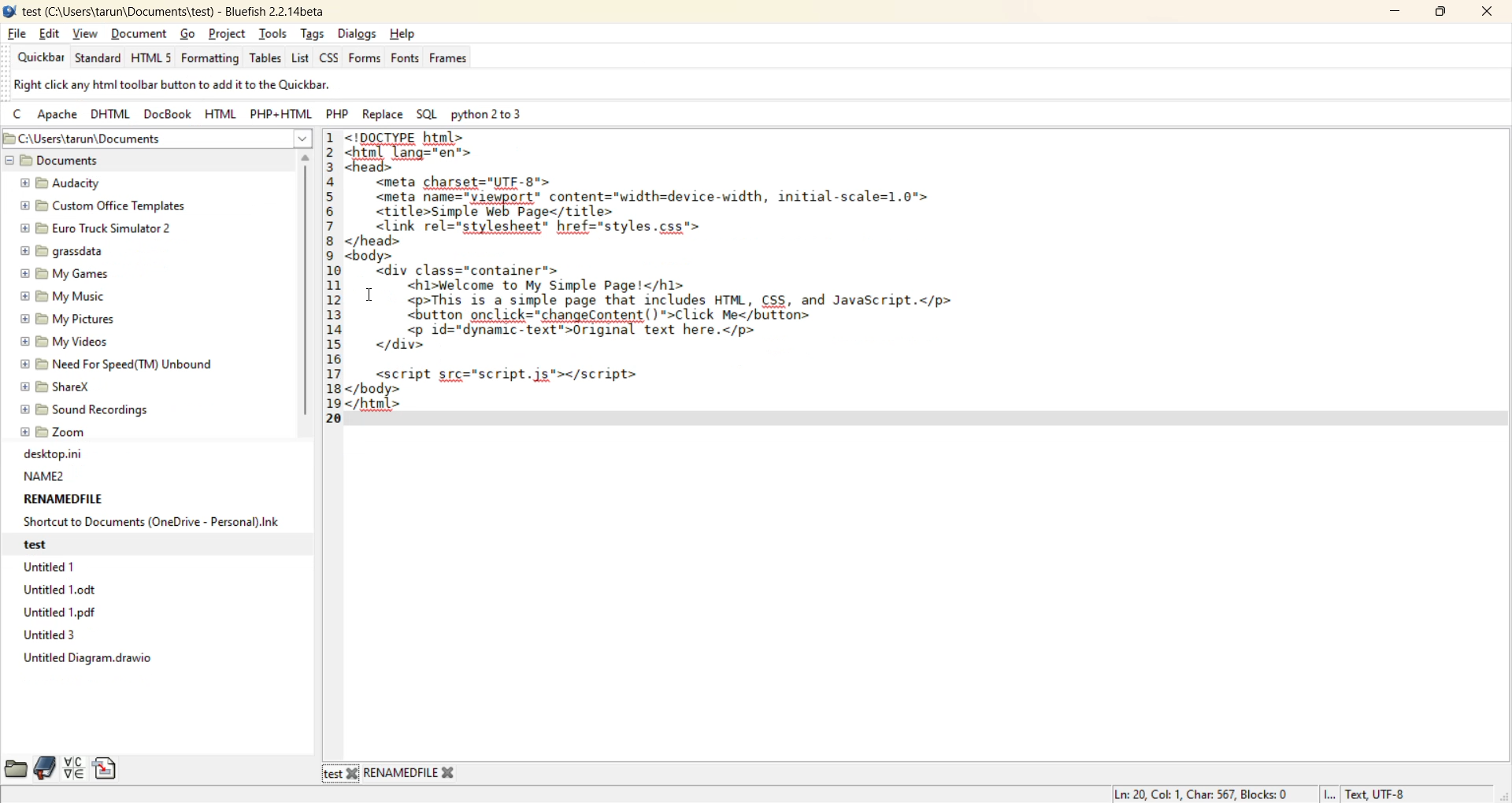 The height and width of the screenshot is (803, 1512). I want to click on dialogs, so click(357, 33).